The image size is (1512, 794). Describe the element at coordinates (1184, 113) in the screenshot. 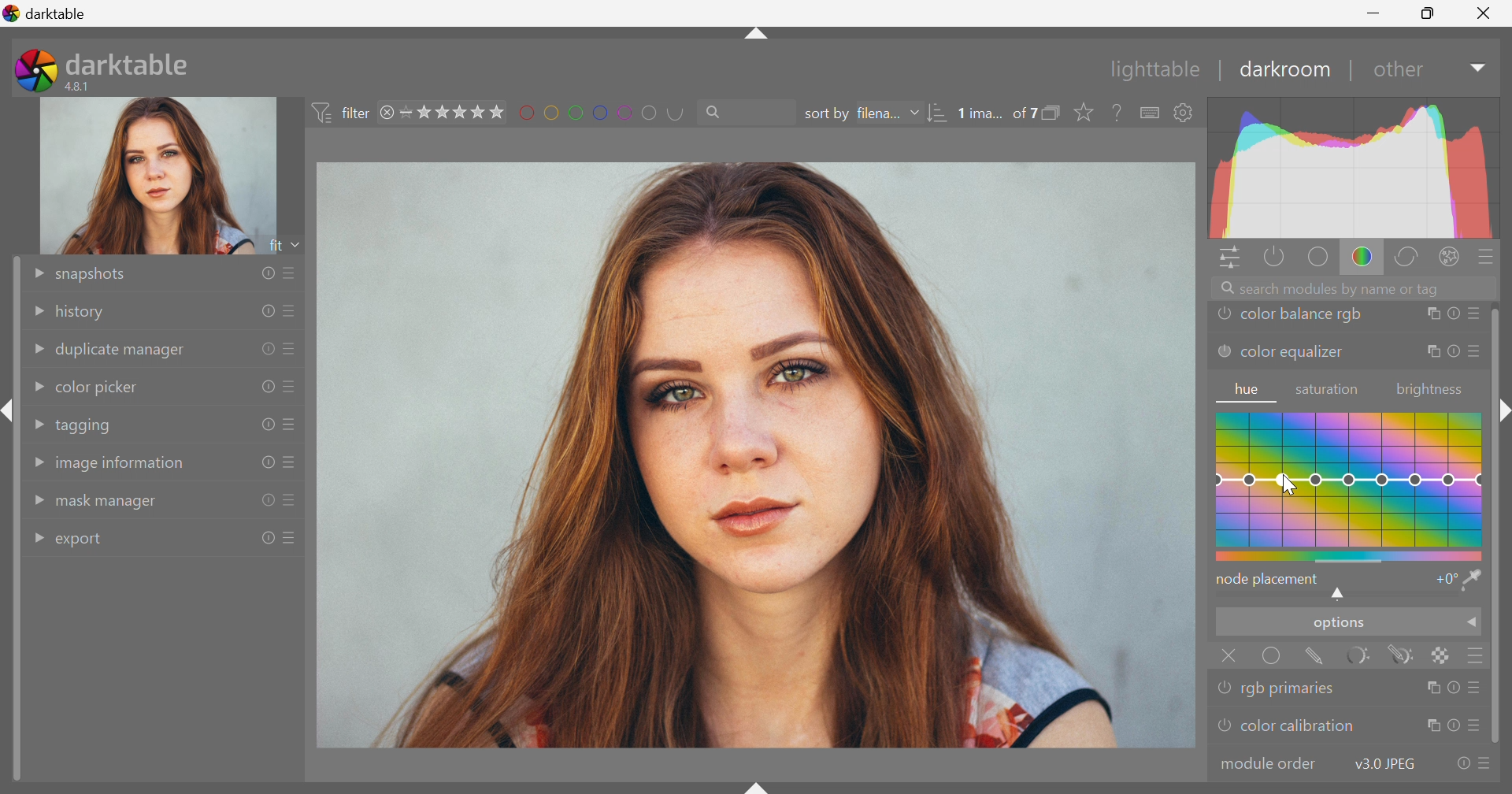

I see `show global preference` at that location.